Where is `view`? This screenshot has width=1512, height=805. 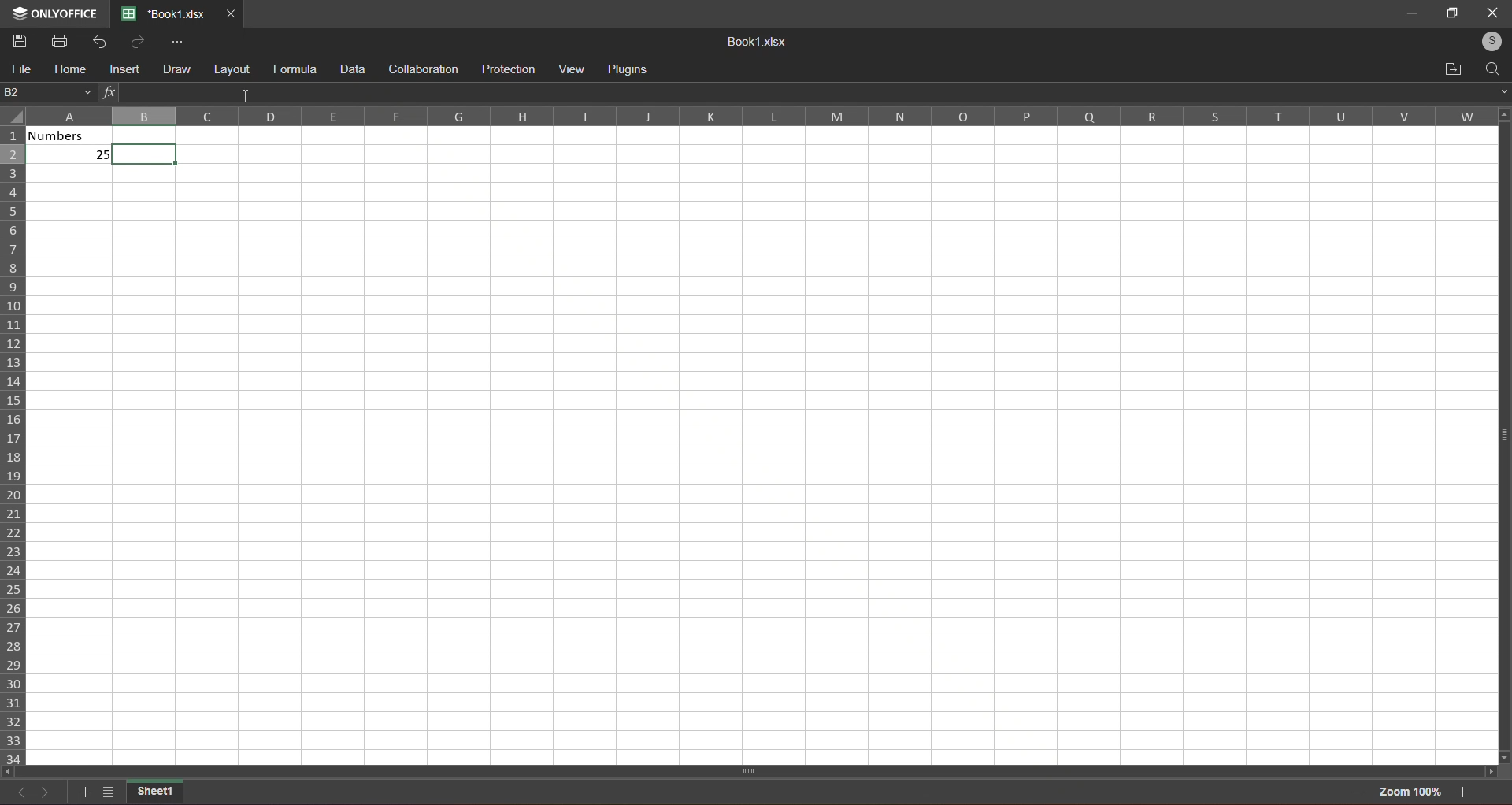
view is located at coordinates (574, 69).